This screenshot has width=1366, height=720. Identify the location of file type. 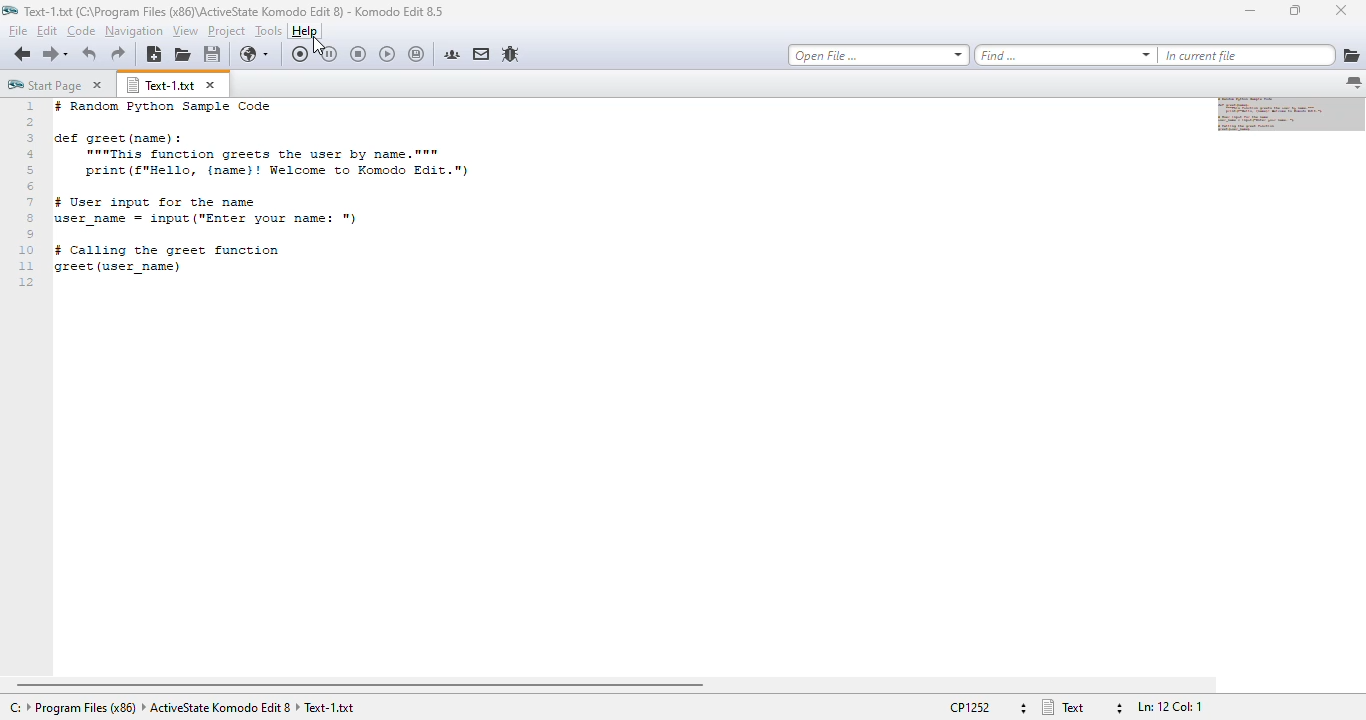
(1081, 707).